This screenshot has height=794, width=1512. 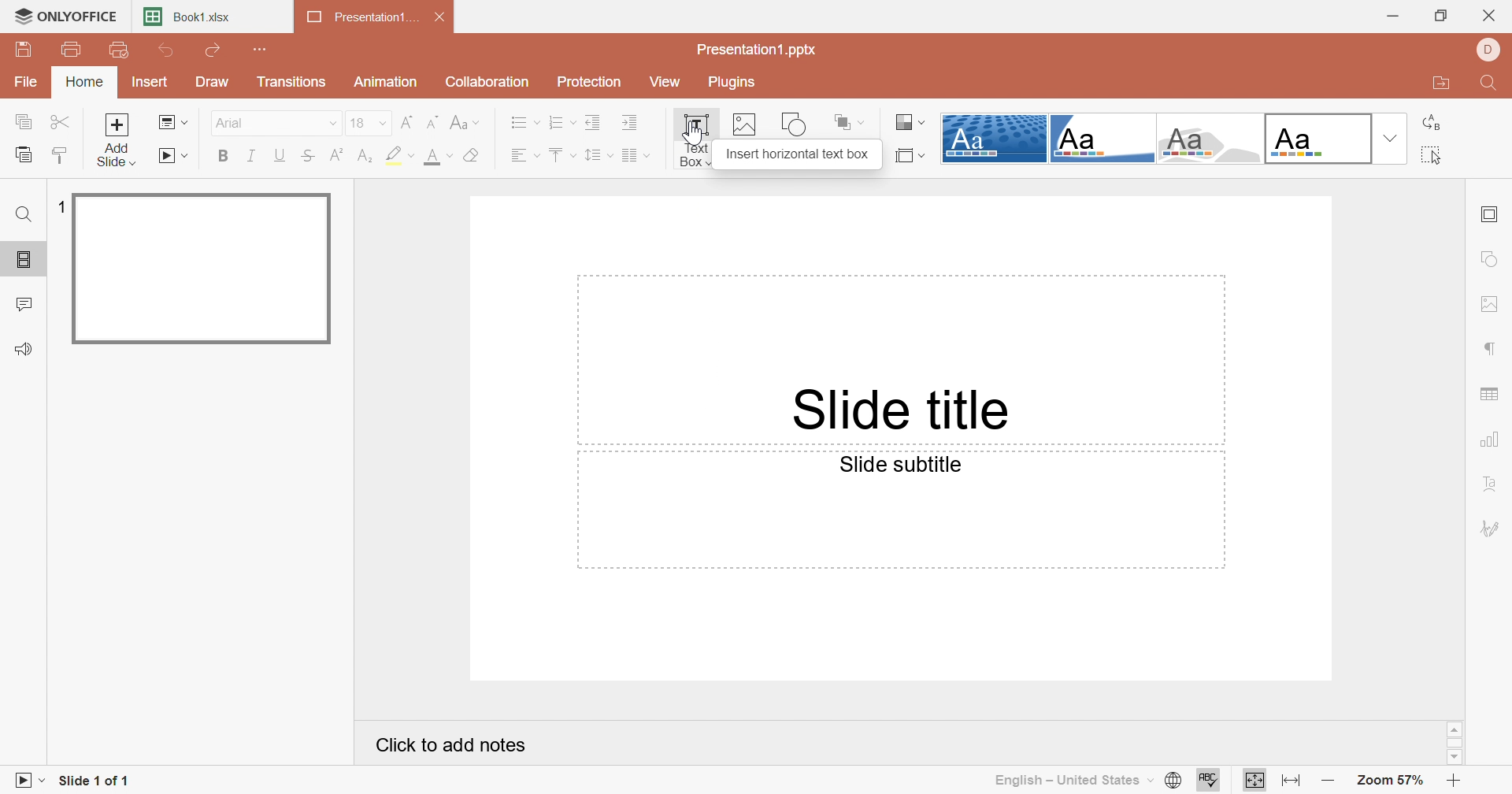 I want to click on Plugins, so click(x=731, y=82).